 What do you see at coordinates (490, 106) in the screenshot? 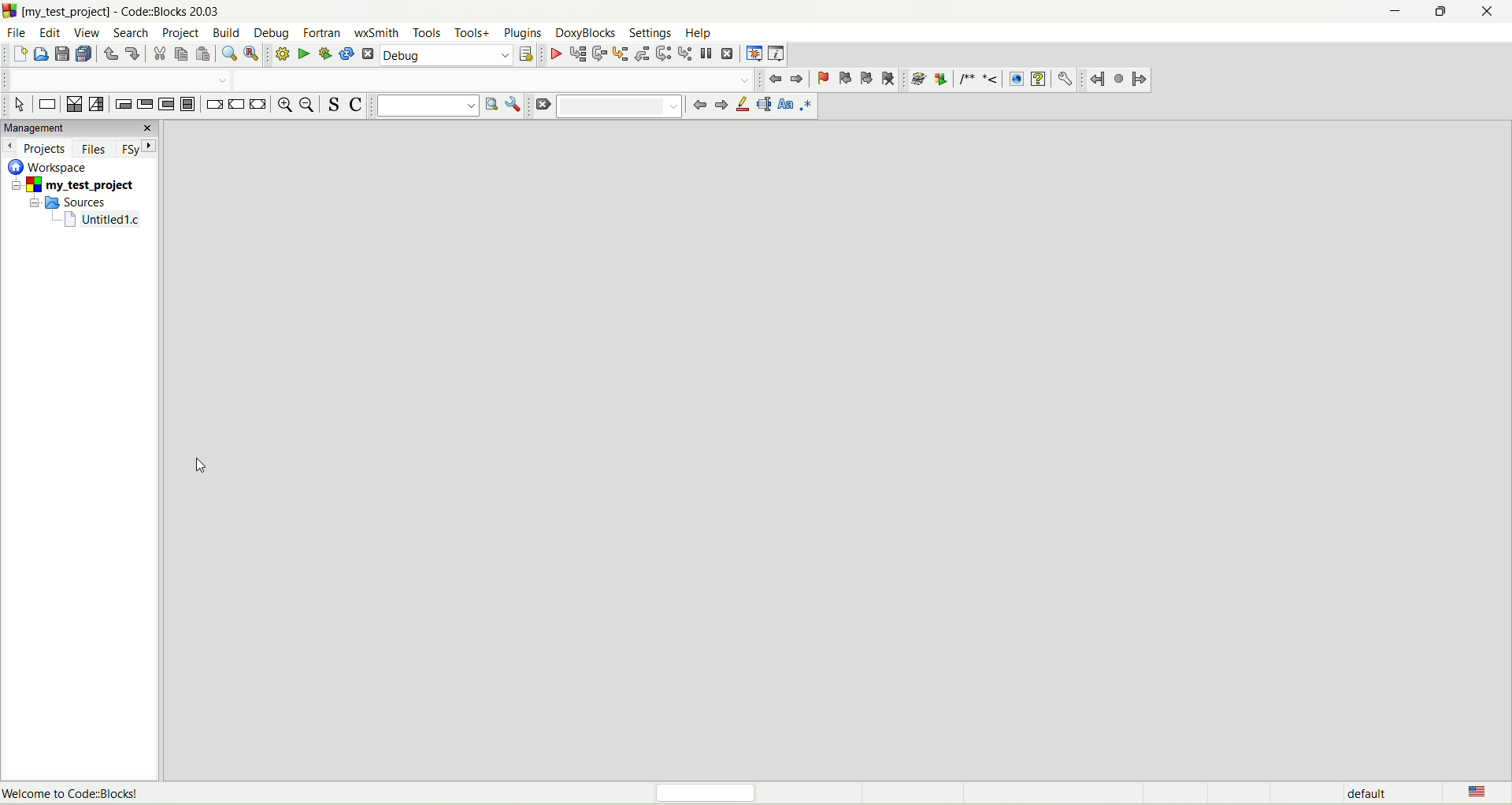
I see `run search` at bounding box center [490, 106].